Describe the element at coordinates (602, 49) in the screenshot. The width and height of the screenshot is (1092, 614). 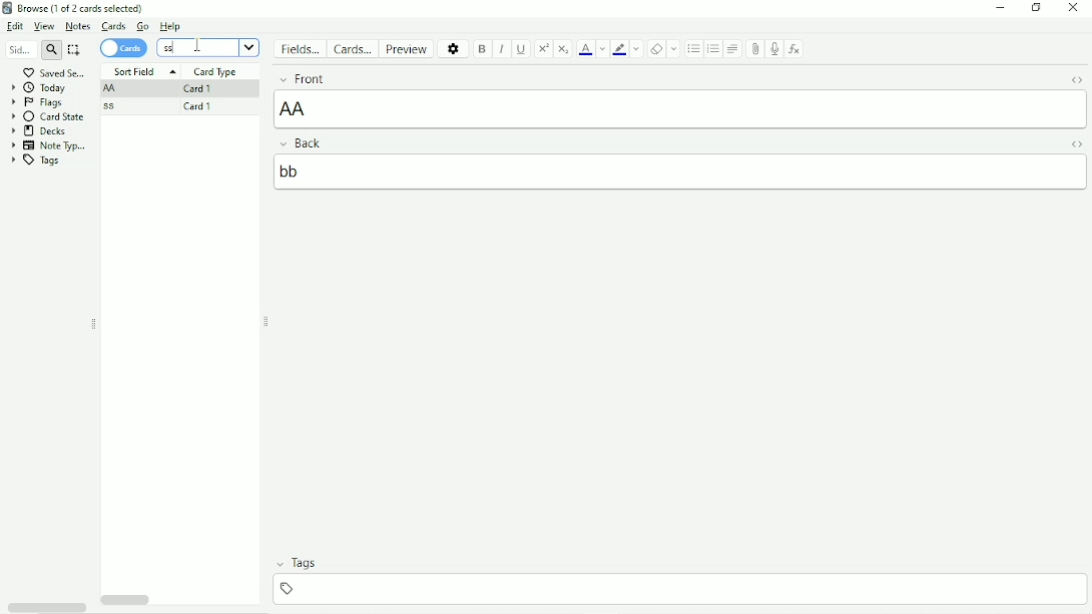
I see `Change color` at that location.